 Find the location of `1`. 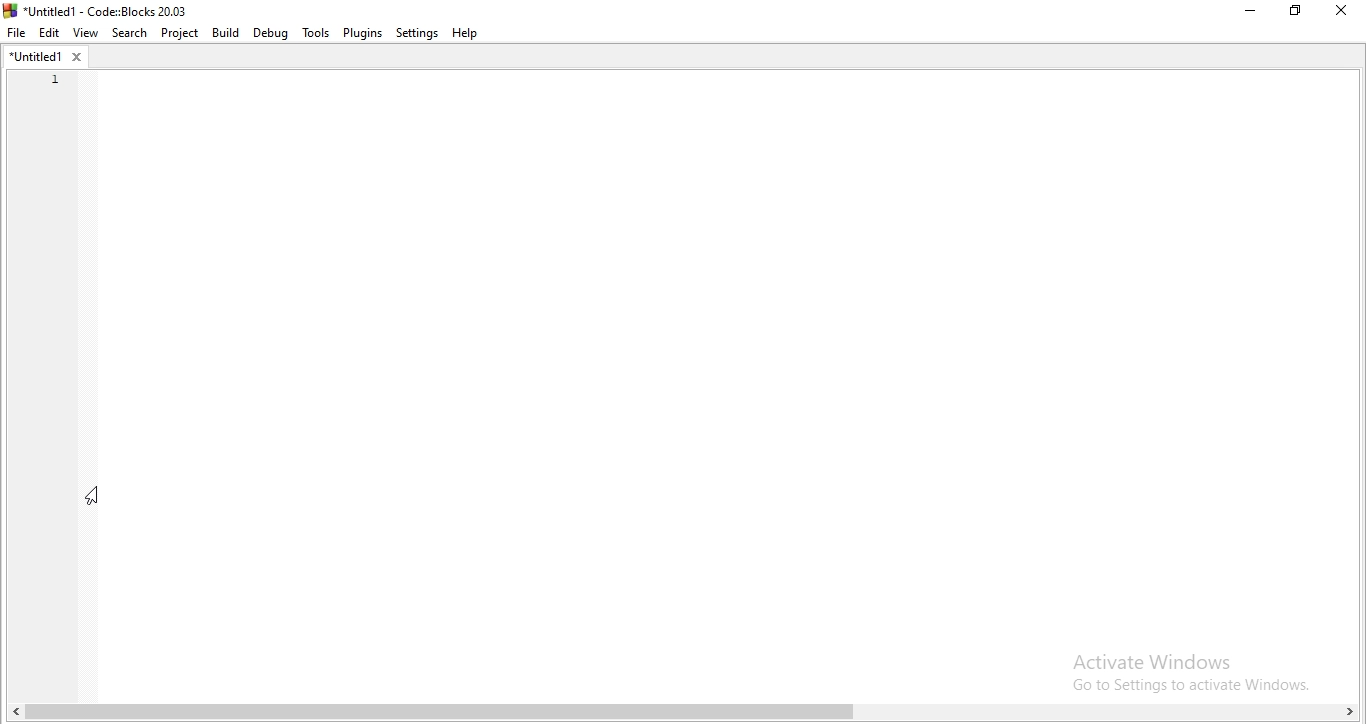

1 is located at coordinates (51, 79).